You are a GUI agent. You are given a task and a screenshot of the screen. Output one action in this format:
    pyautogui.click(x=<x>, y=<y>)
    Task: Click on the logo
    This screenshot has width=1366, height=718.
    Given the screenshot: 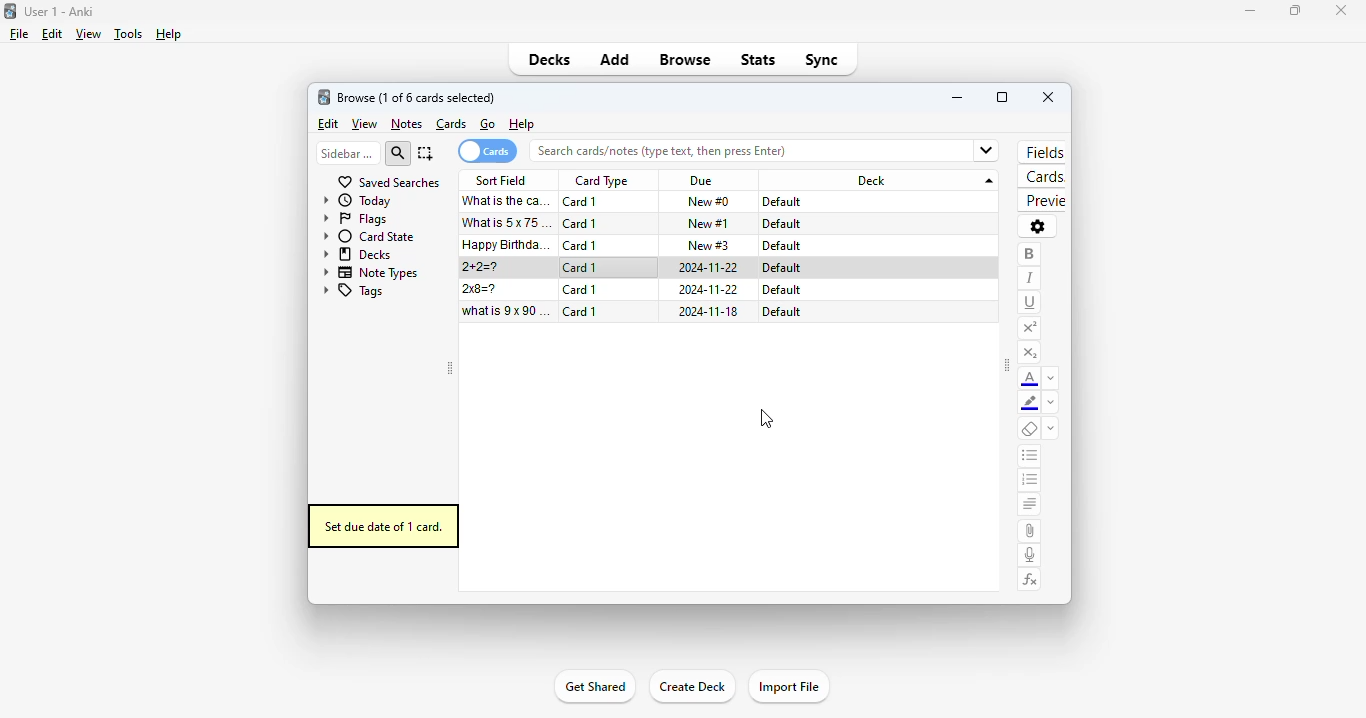 What is the action you would take?
    pyautogui.click(x=10, y=10)
    